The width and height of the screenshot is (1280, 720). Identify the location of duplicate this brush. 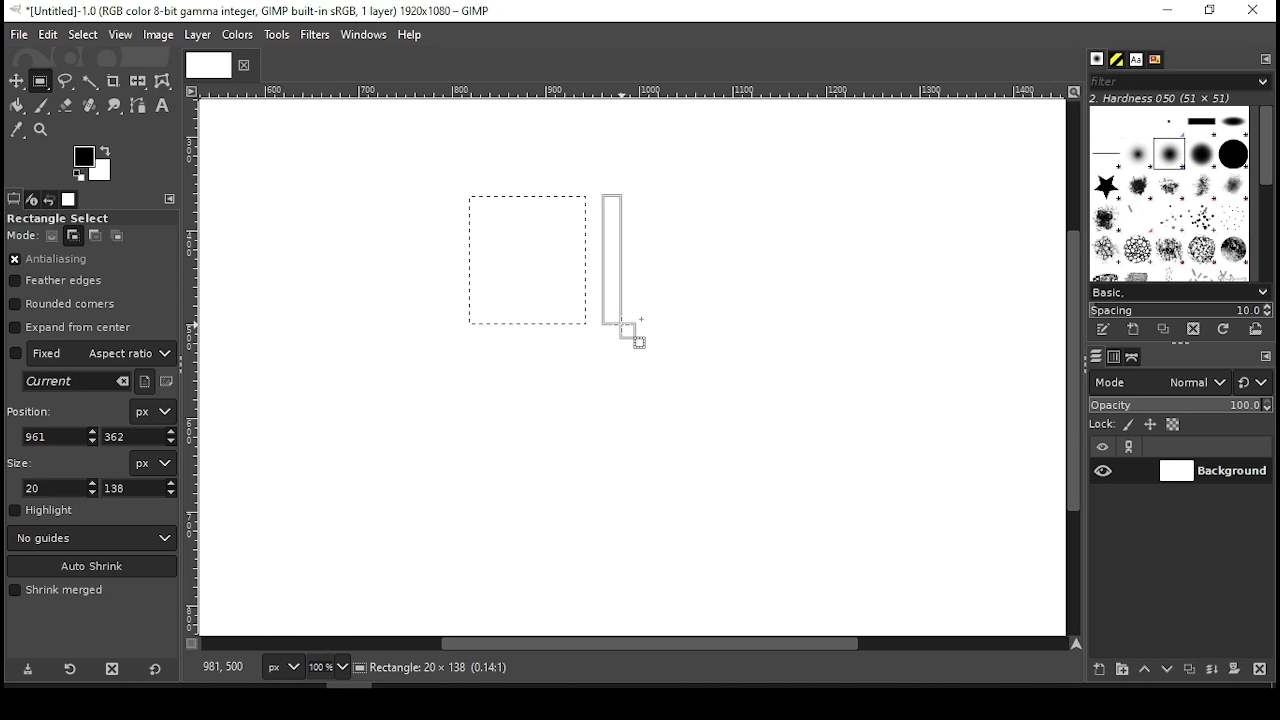
(1169, 329).